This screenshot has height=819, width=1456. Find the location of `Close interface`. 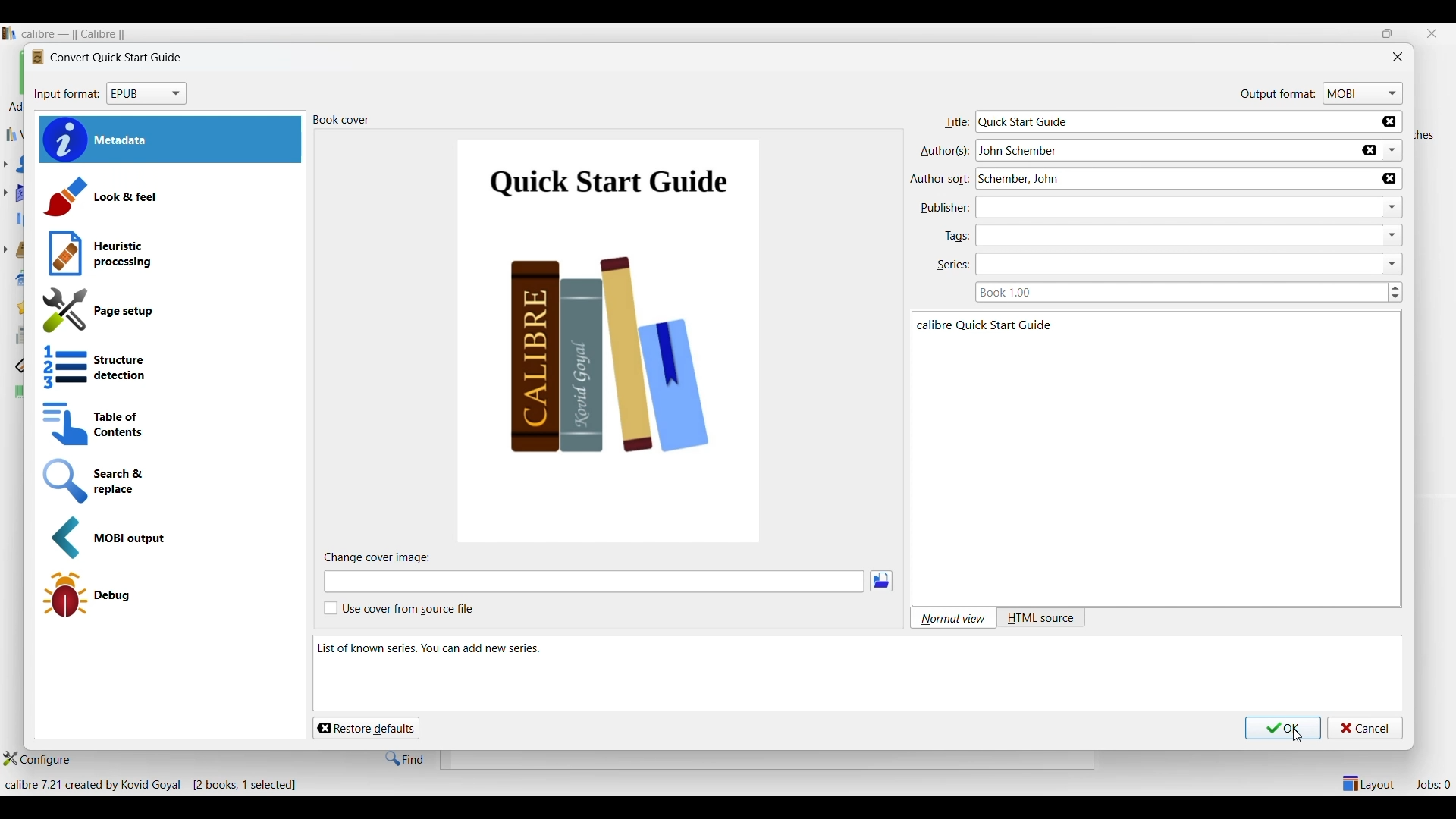

Close interface is located at coordinates (1432, 33).